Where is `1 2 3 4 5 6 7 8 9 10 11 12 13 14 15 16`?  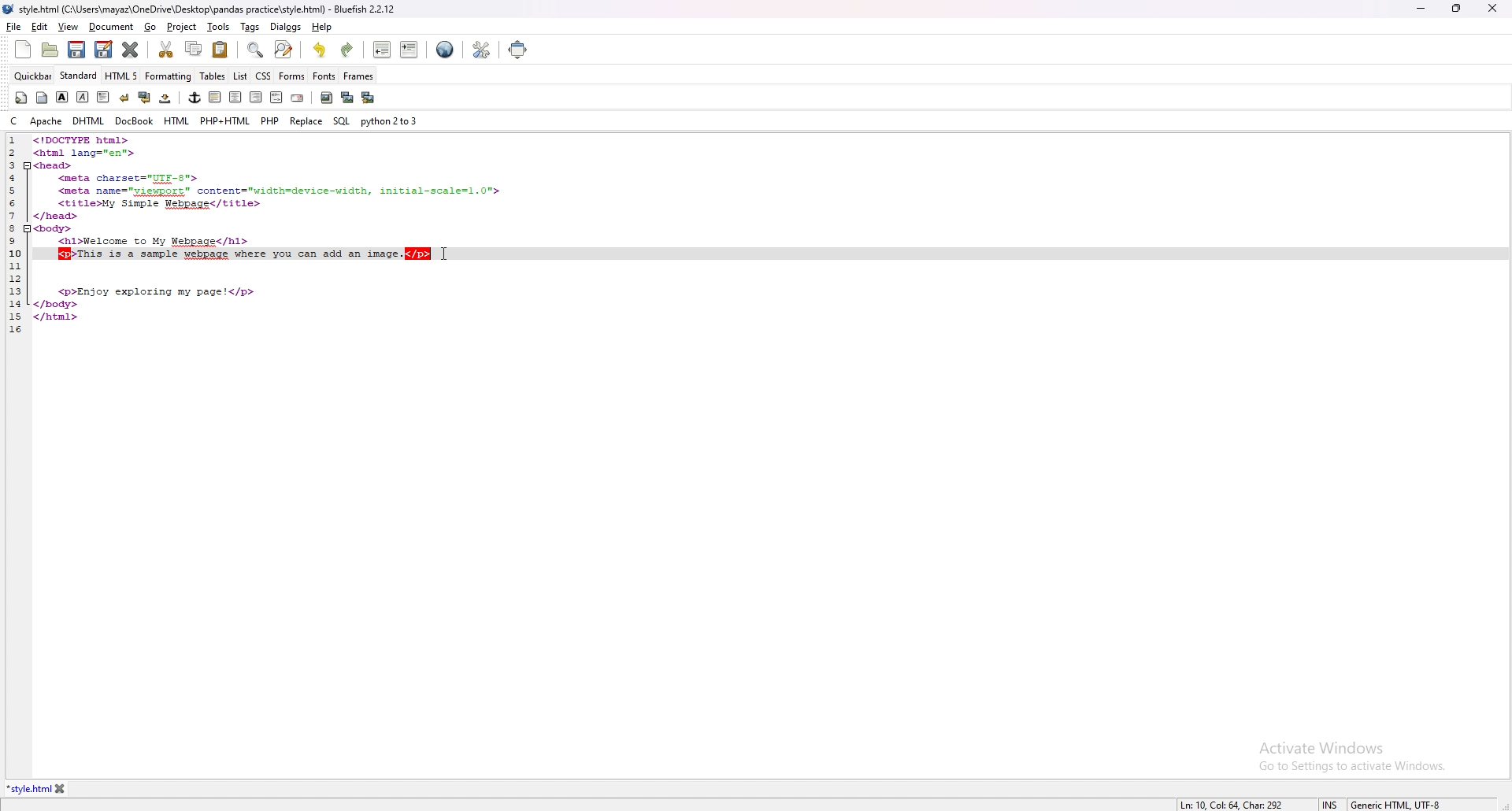 1 2 3 4 5 6 7 8 9 10 11 12 13 14 15 16 is located at coordinates (14, 235).